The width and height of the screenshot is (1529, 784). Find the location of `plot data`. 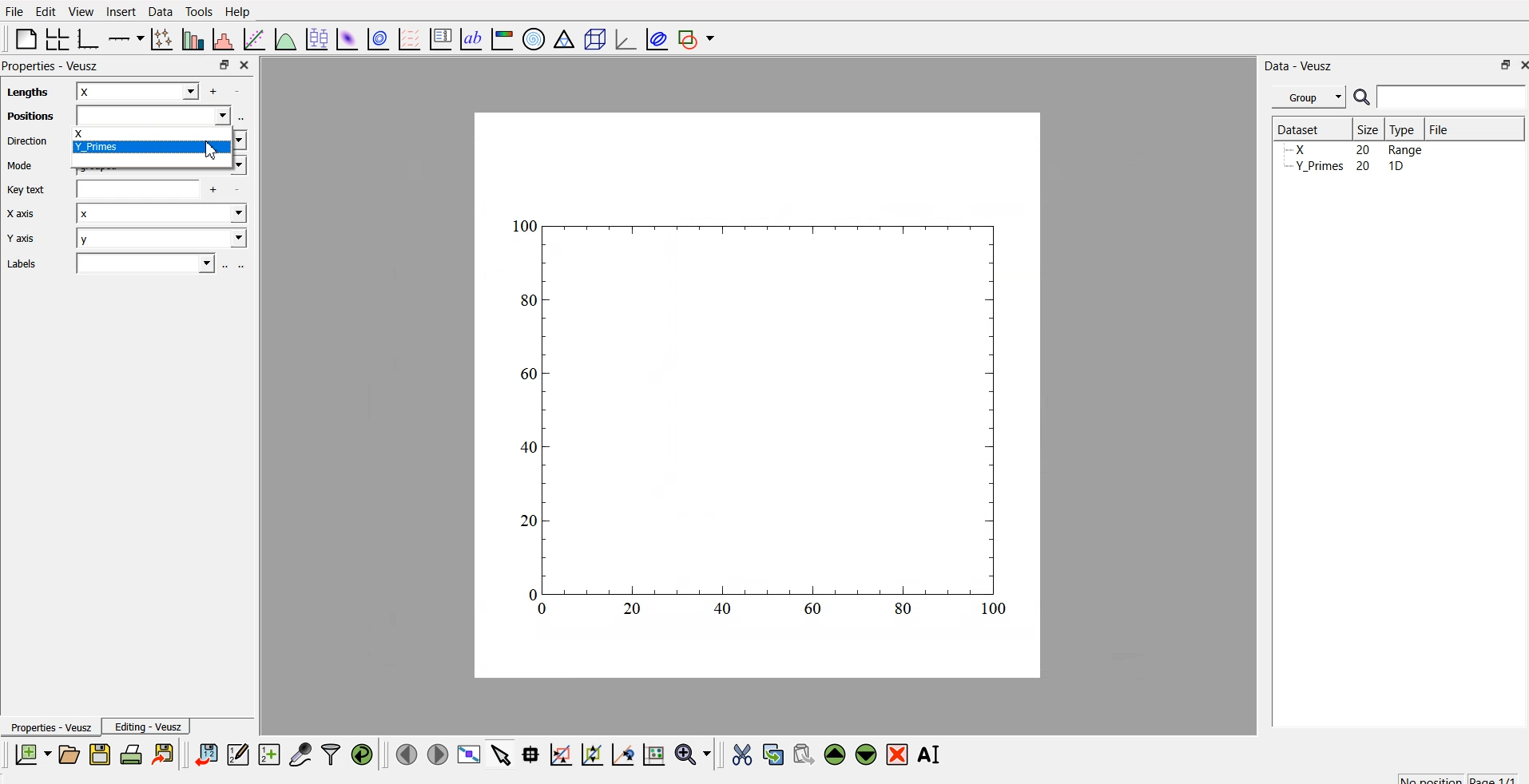

plot data is located at coordinates (378, 38).